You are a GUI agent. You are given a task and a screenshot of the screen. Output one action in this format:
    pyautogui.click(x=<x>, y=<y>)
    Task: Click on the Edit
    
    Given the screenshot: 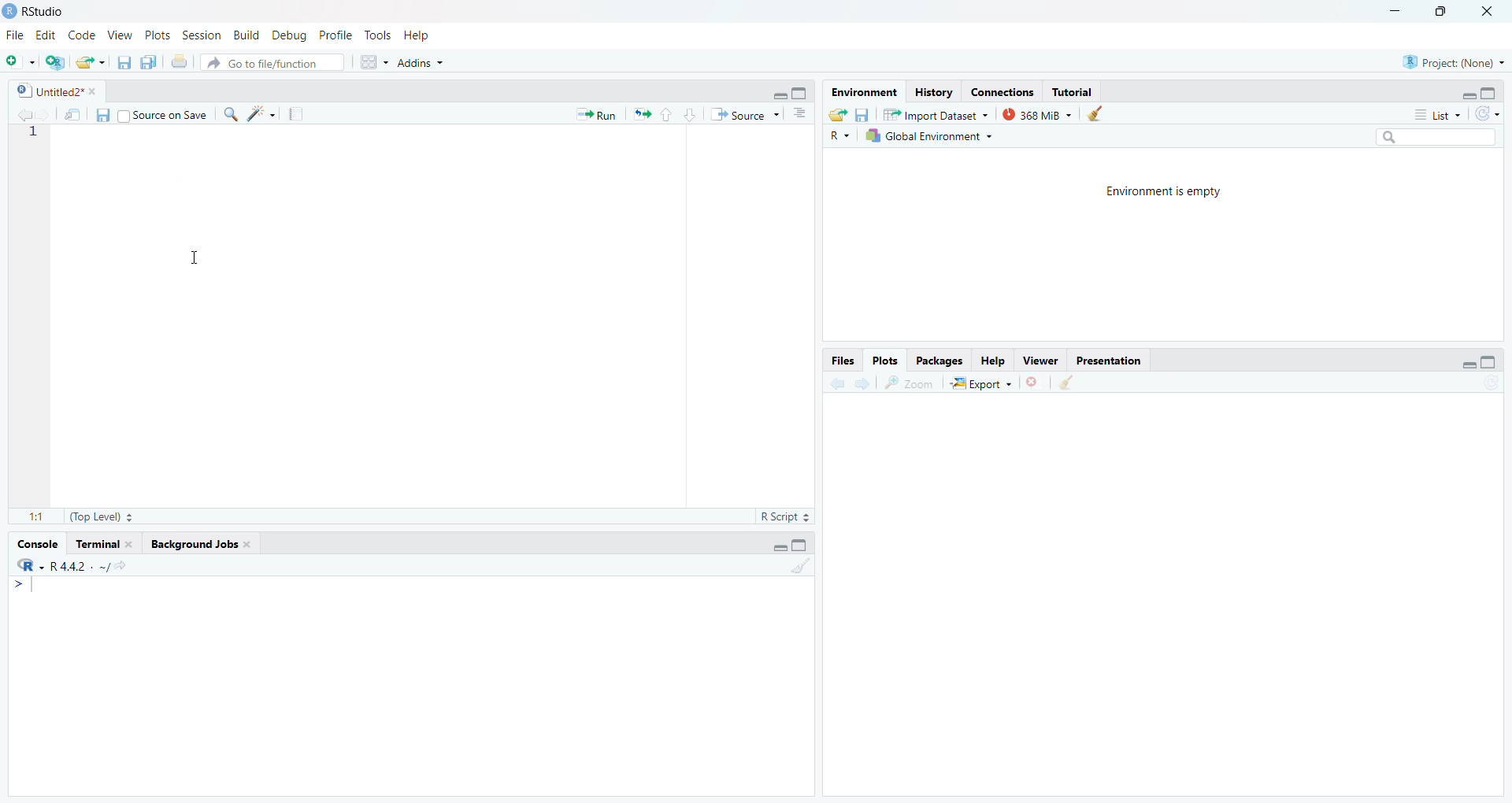 What is the action you would take?
    pyautogui.click(x=47, y=35)
    